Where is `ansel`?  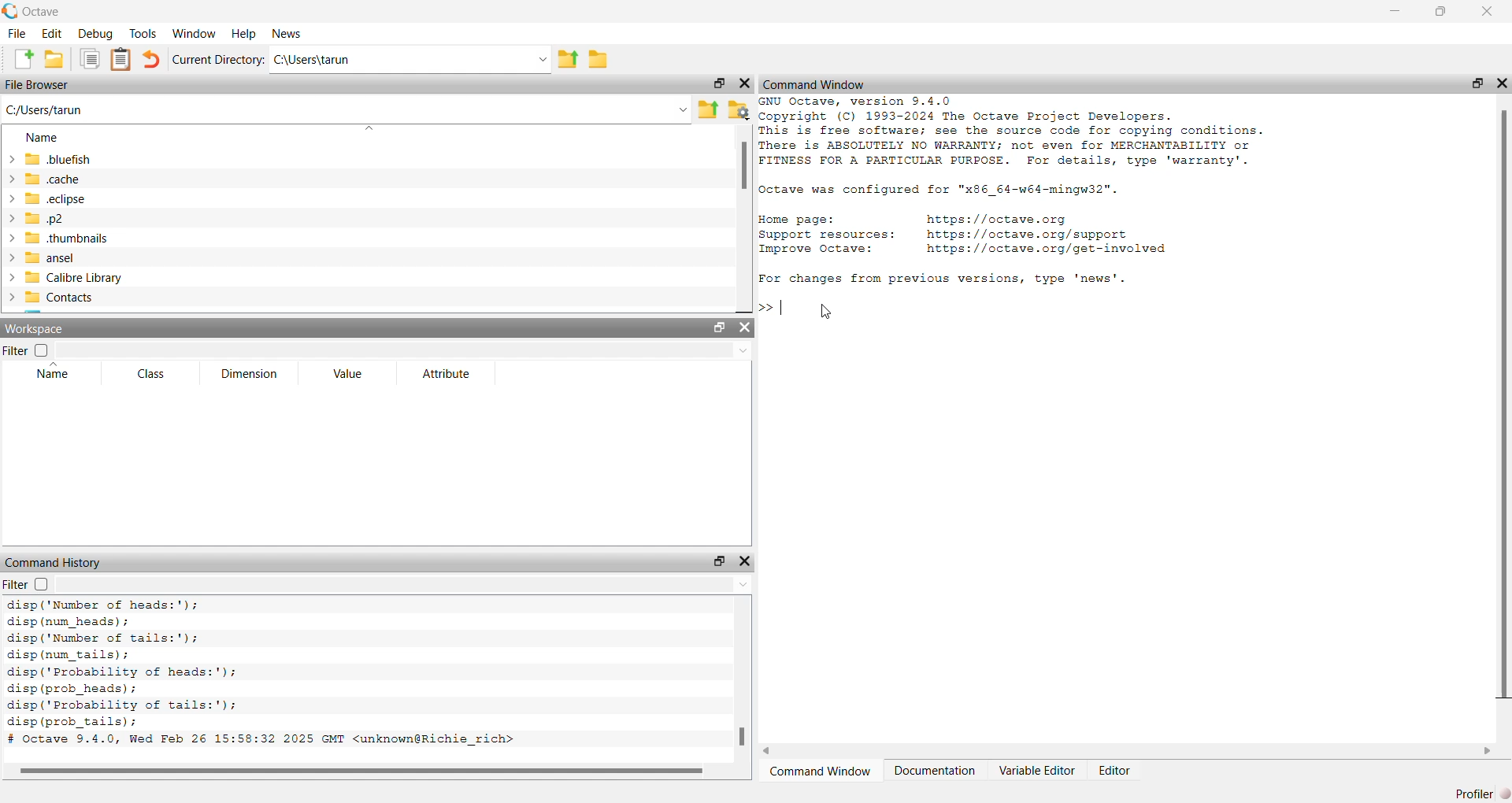
ansel is located at coordinates (52, 258).